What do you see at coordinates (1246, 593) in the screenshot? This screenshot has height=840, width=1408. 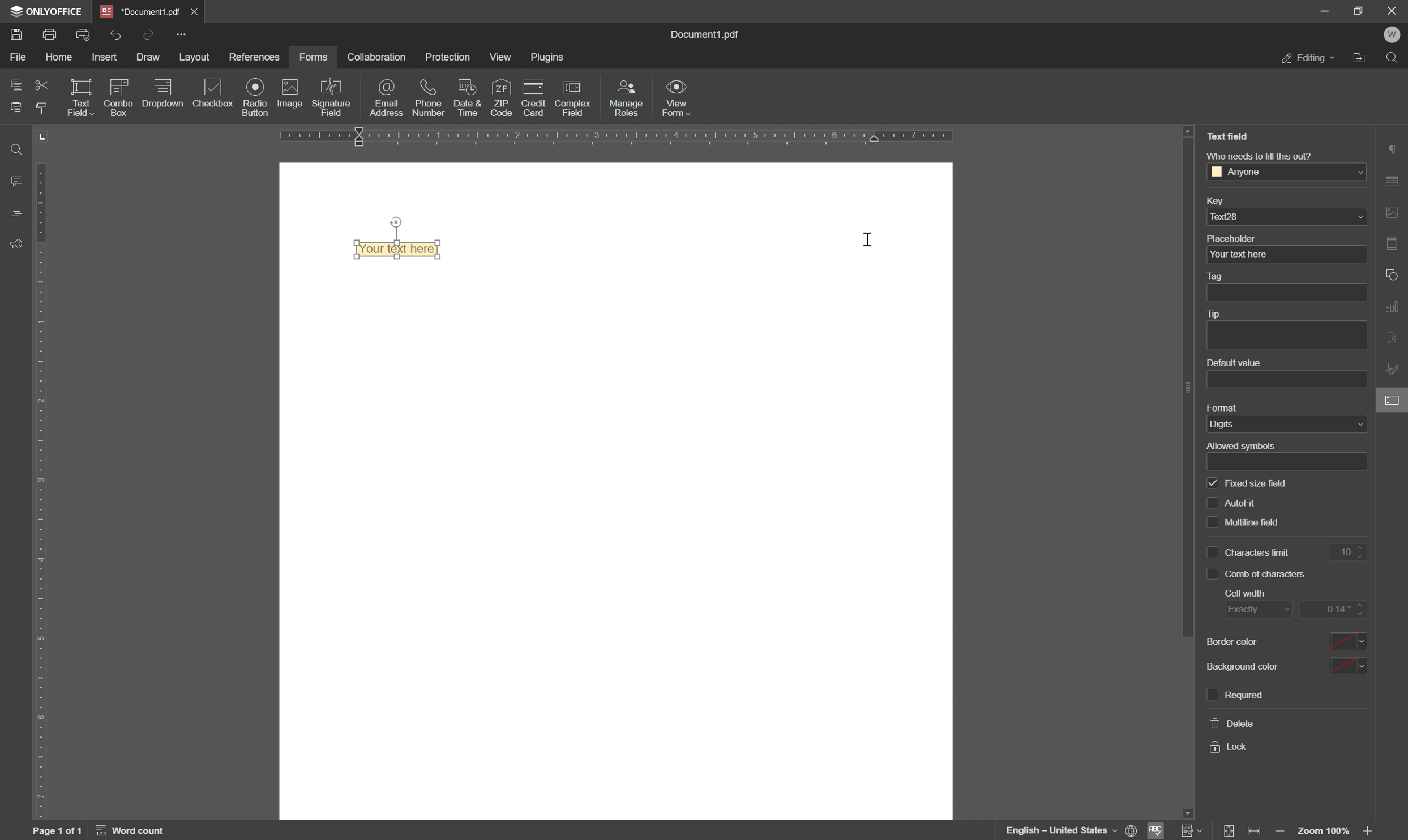 I see `cell with` at bounding box center [1246, 593].